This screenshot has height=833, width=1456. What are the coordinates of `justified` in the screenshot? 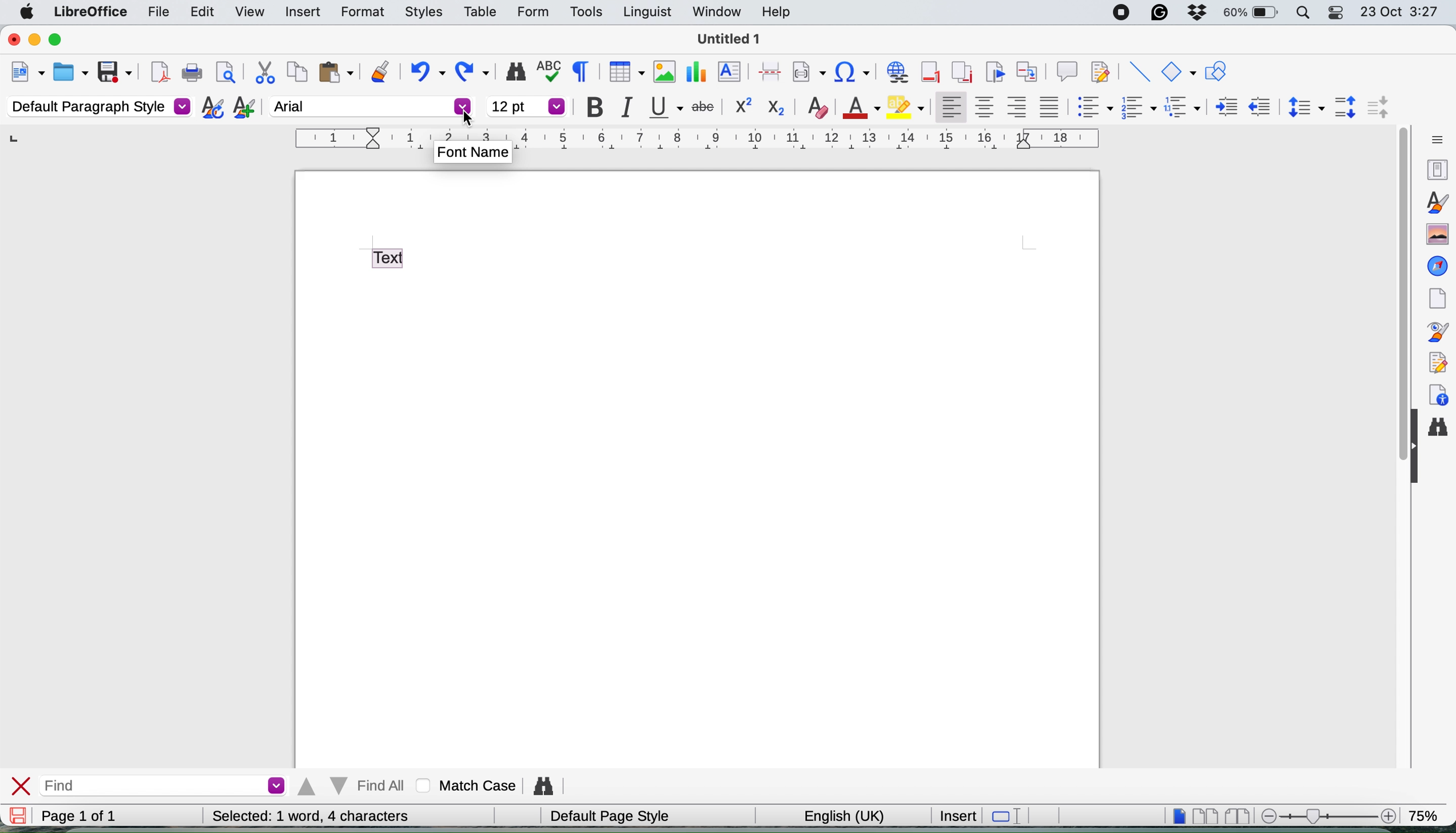 It's located at (1050, 106).